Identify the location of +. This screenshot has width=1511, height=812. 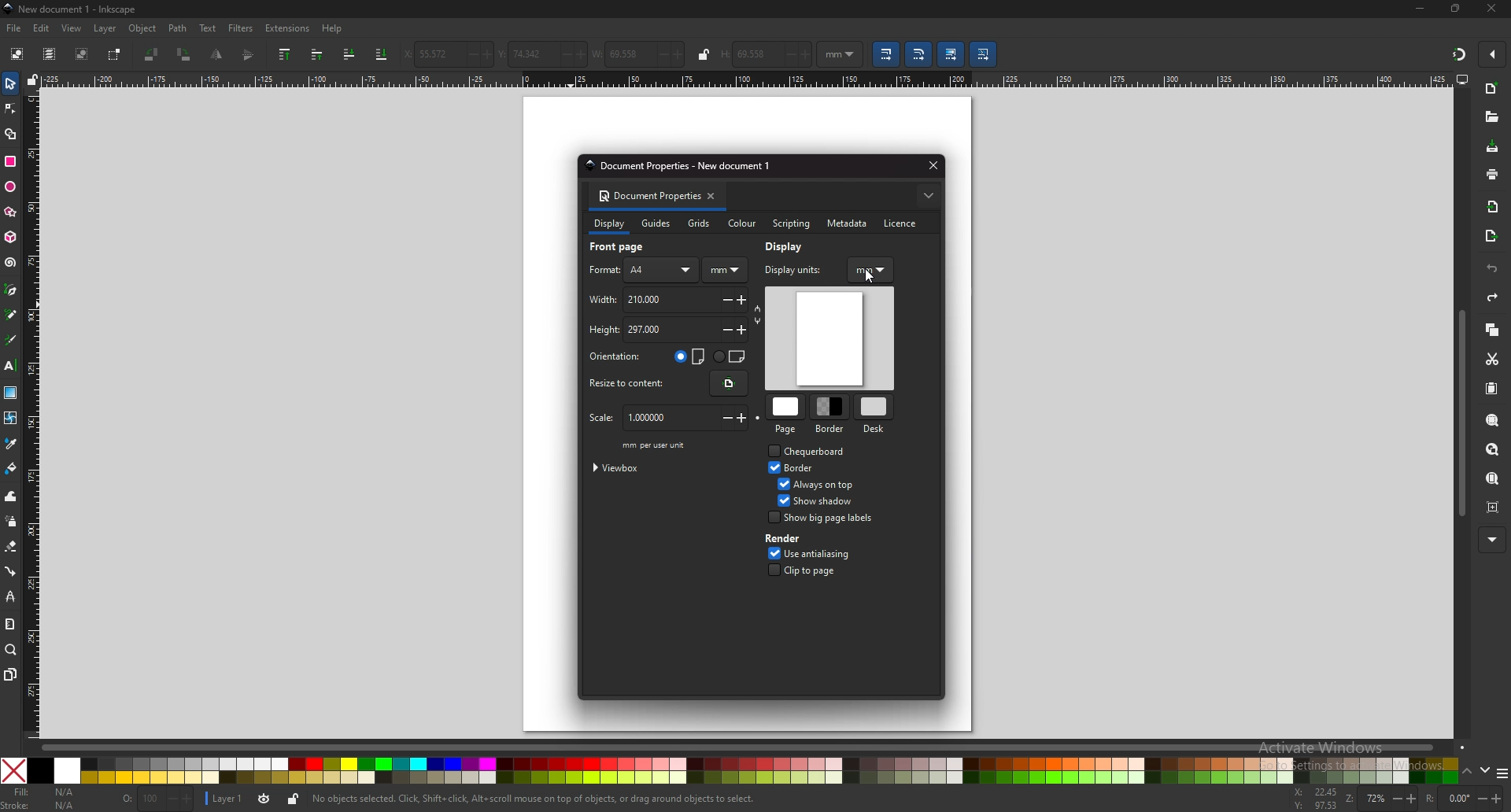
(1410, 799).